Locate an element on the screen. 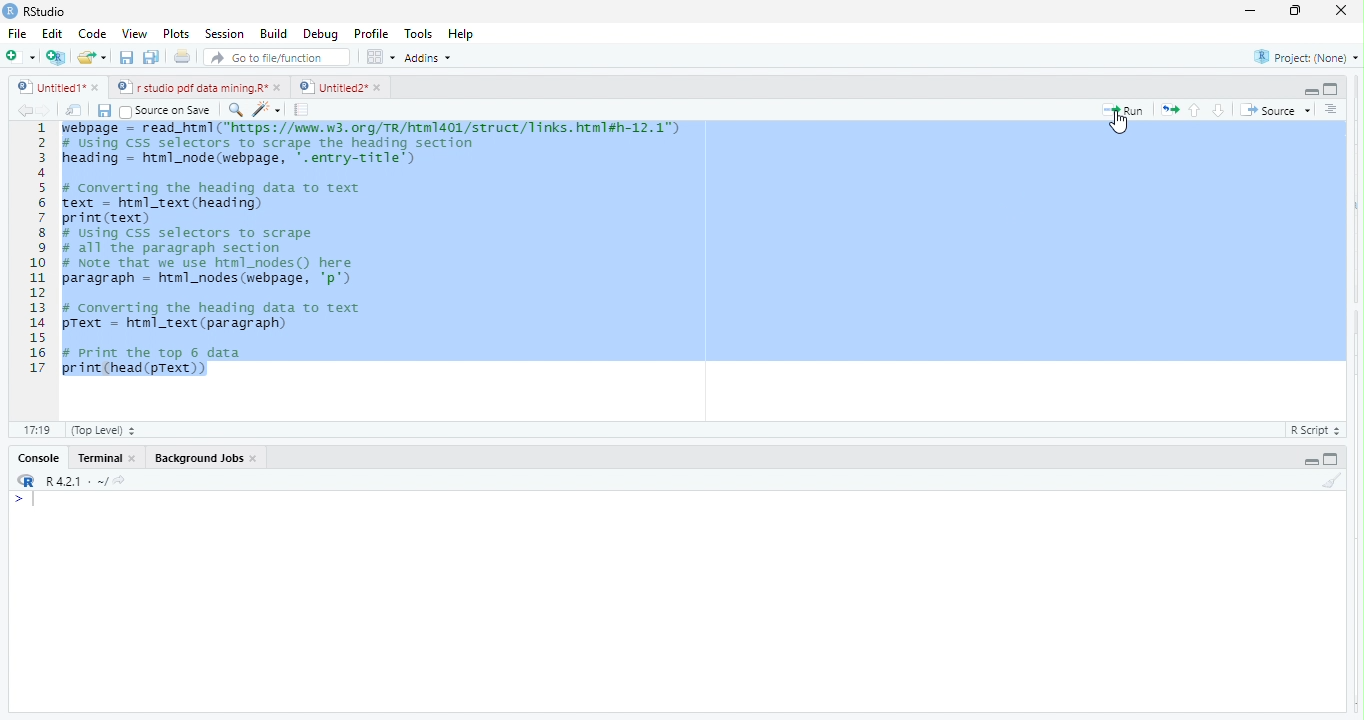  © | r studio pdf data mining.R is located at coordinates (194, 88).